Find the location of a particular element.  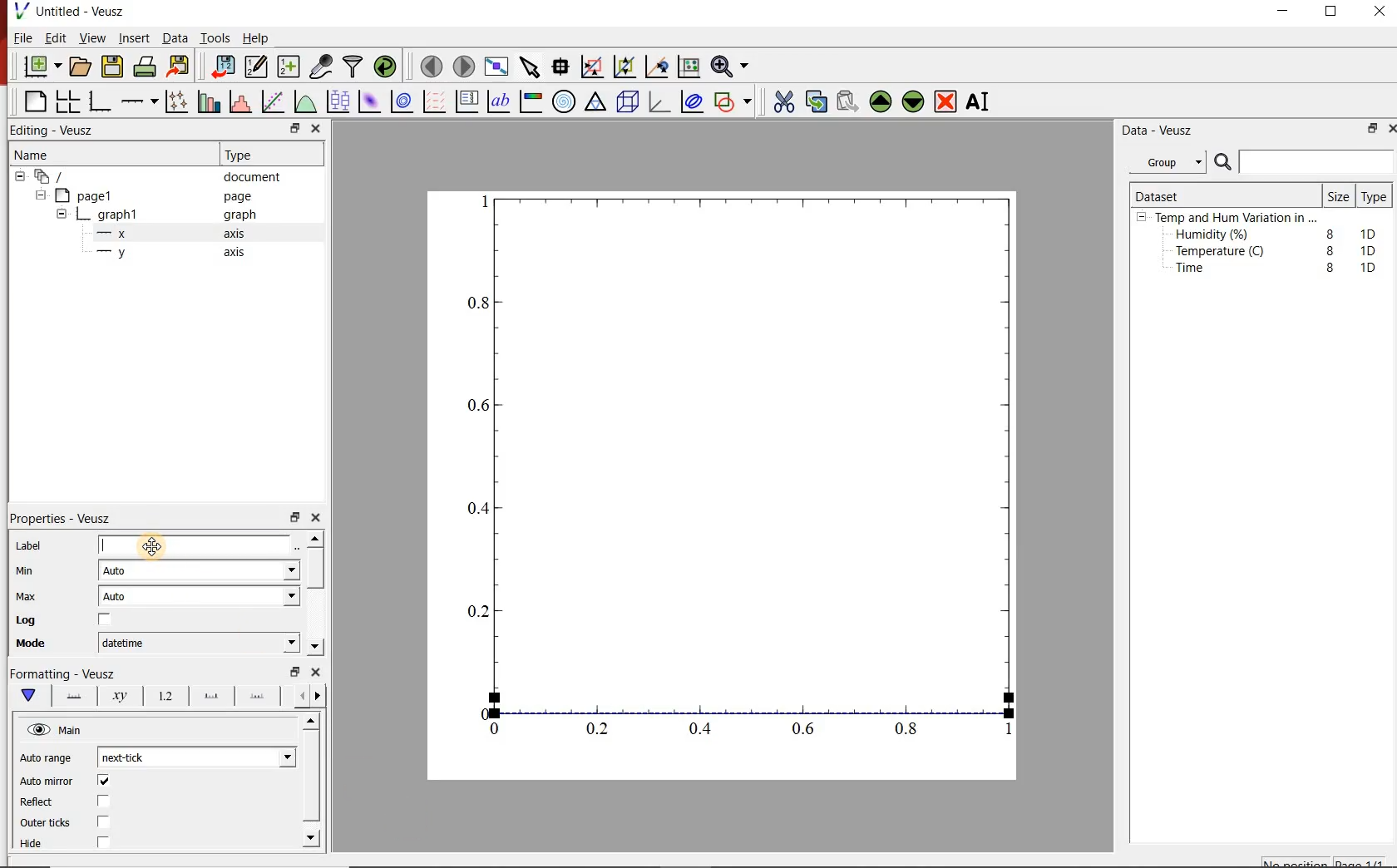

minor ticks is located at coordinates (259, 697).